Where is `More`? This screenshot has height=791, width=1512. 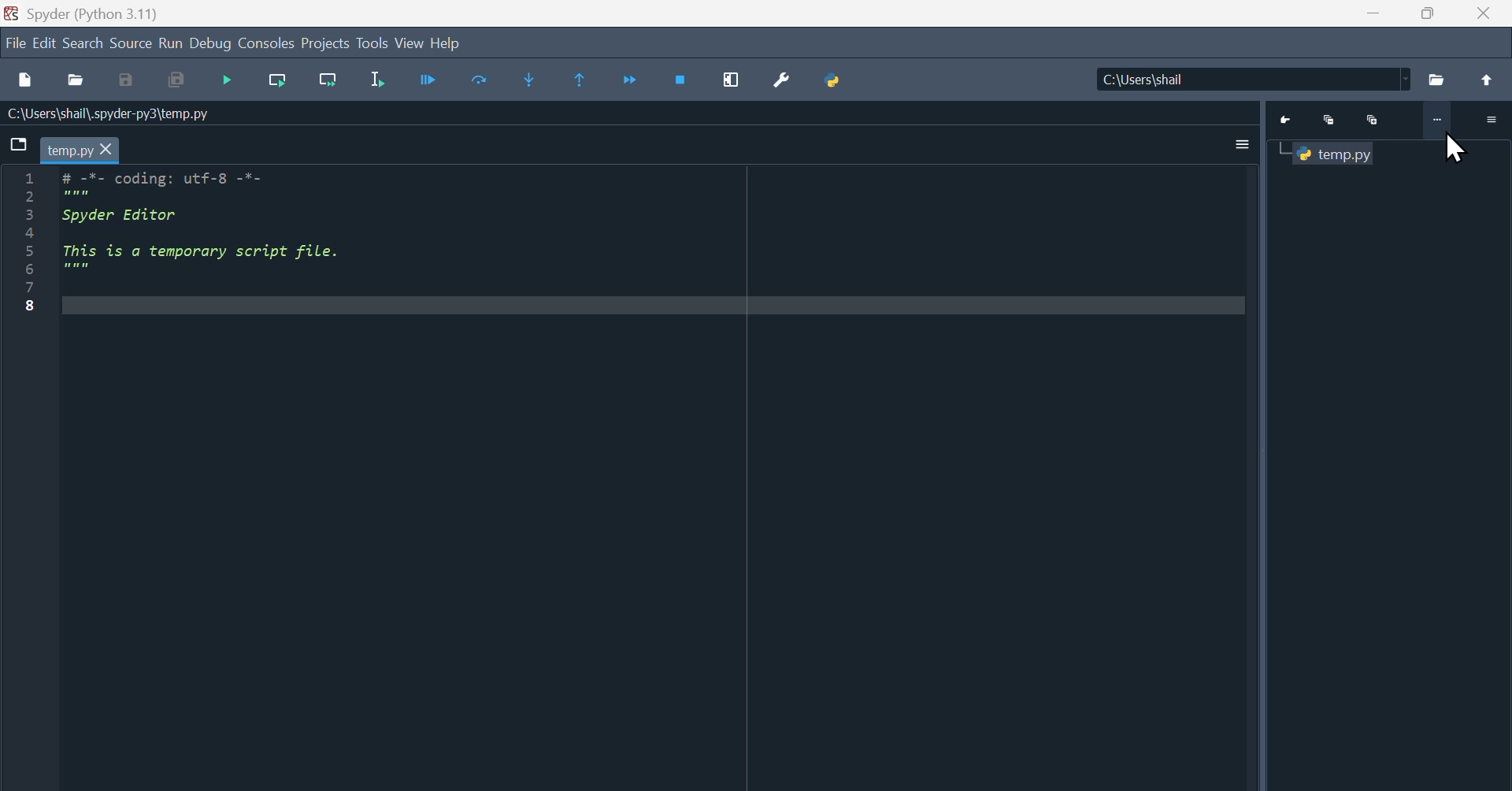 More is located at coordinates (1436, 122).